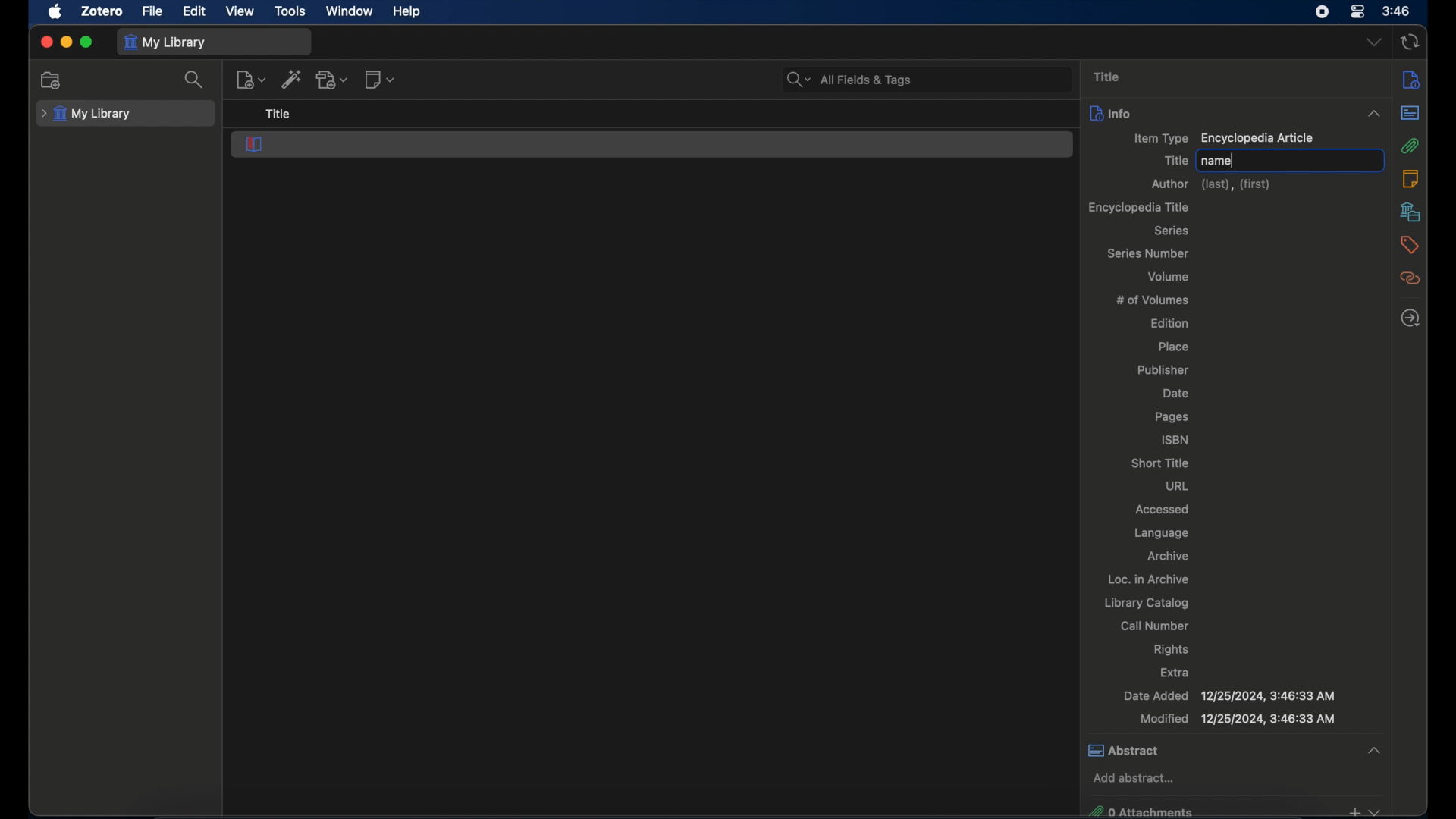  Describe the element at coordinates (1214, 185) in the screenshot. I see `author` at that location.